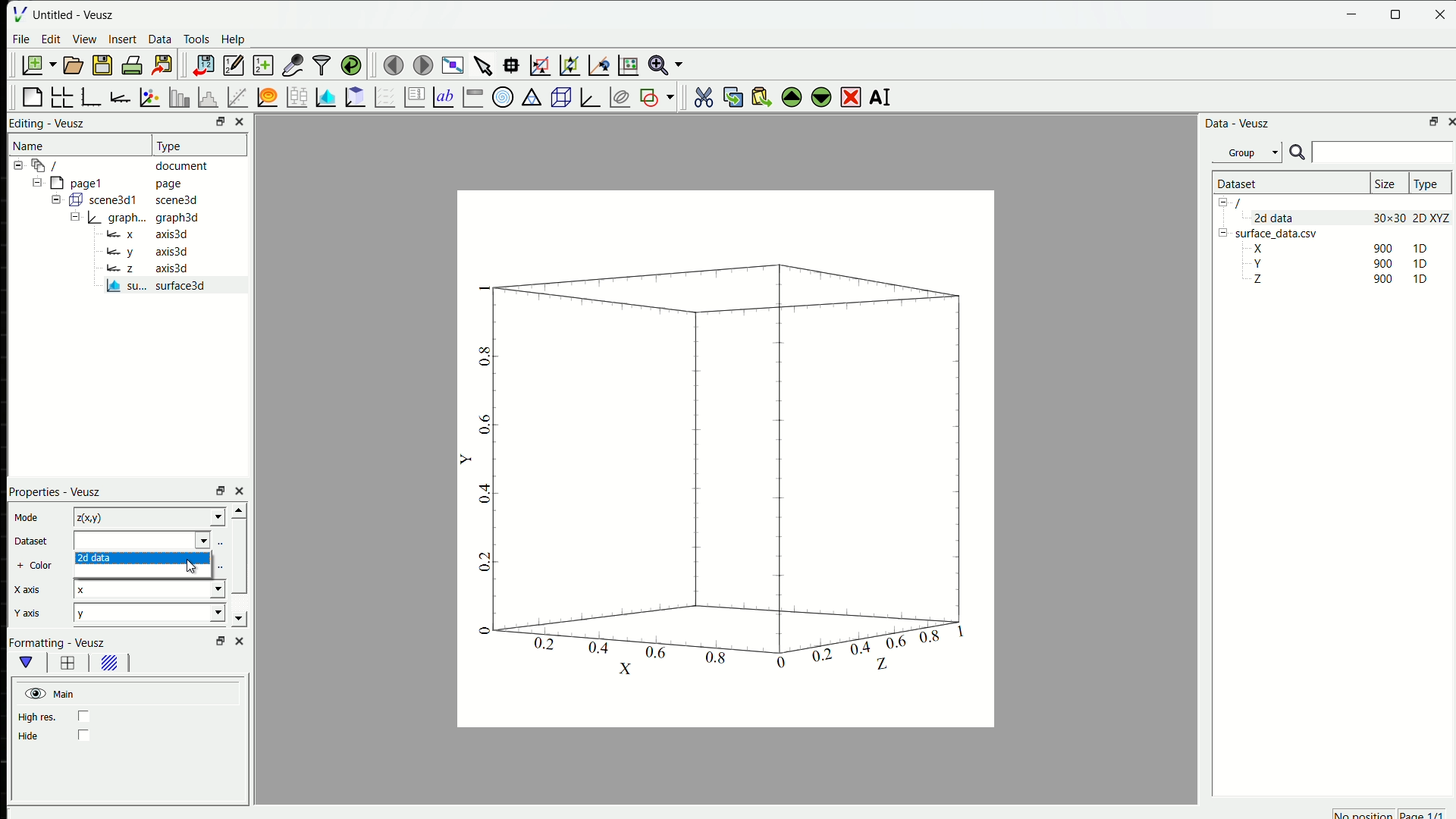  I want to click on Dataset, so click(32, 542).